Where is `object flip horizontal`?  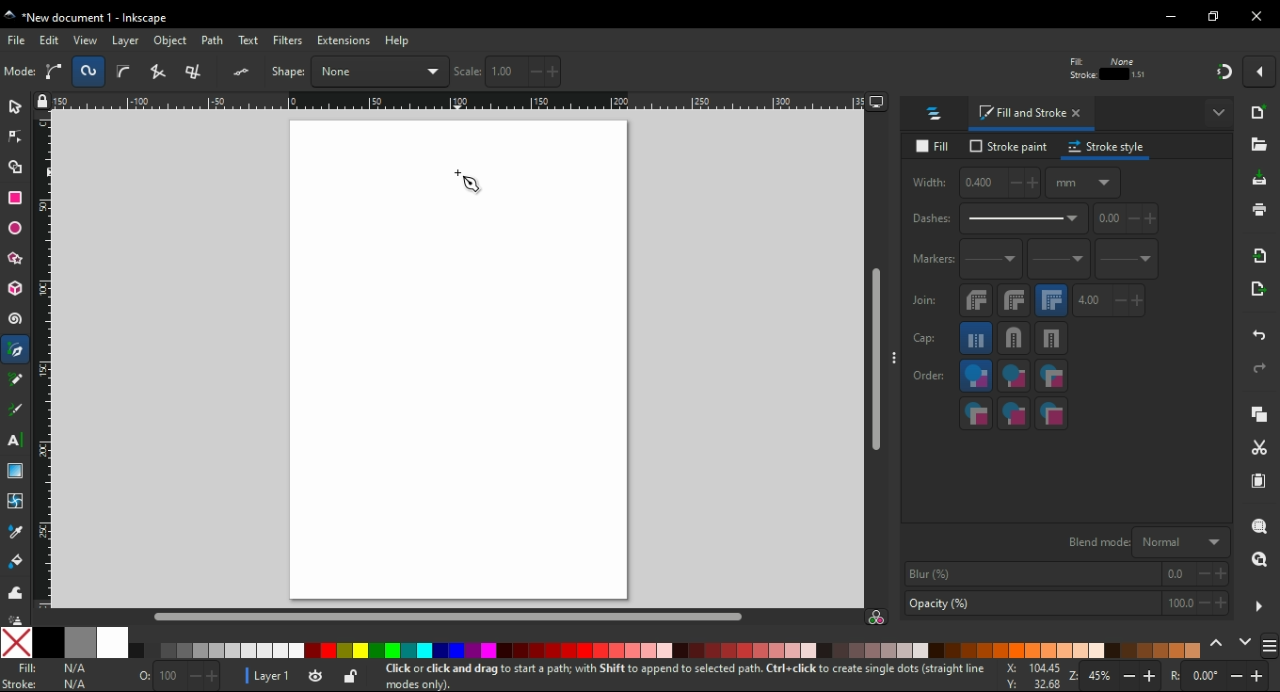 object flip horizontal is located at coordinates (245, 71).